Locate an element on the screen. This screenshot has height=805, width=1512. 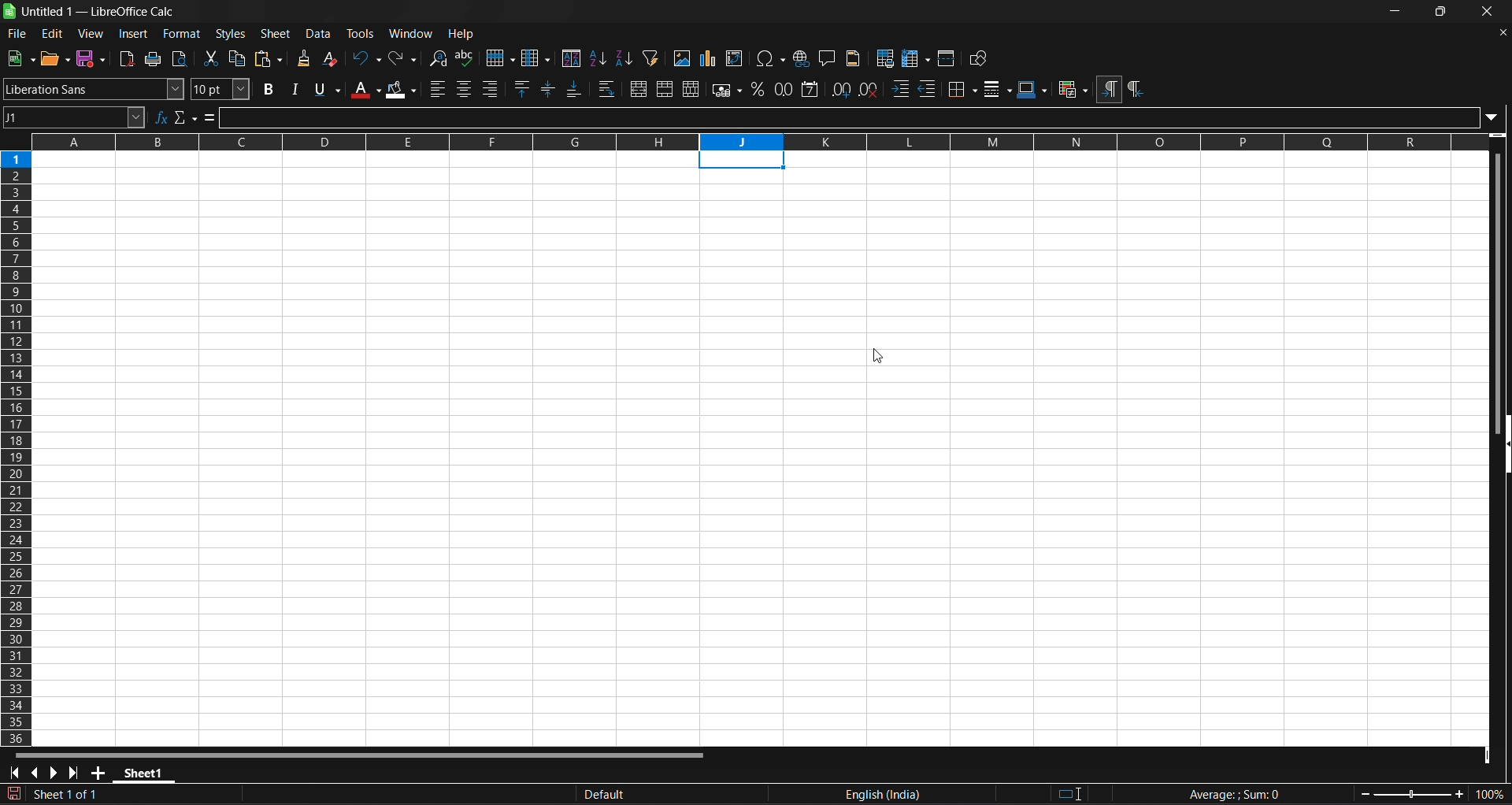
columns is located at coordinates (19, 445).